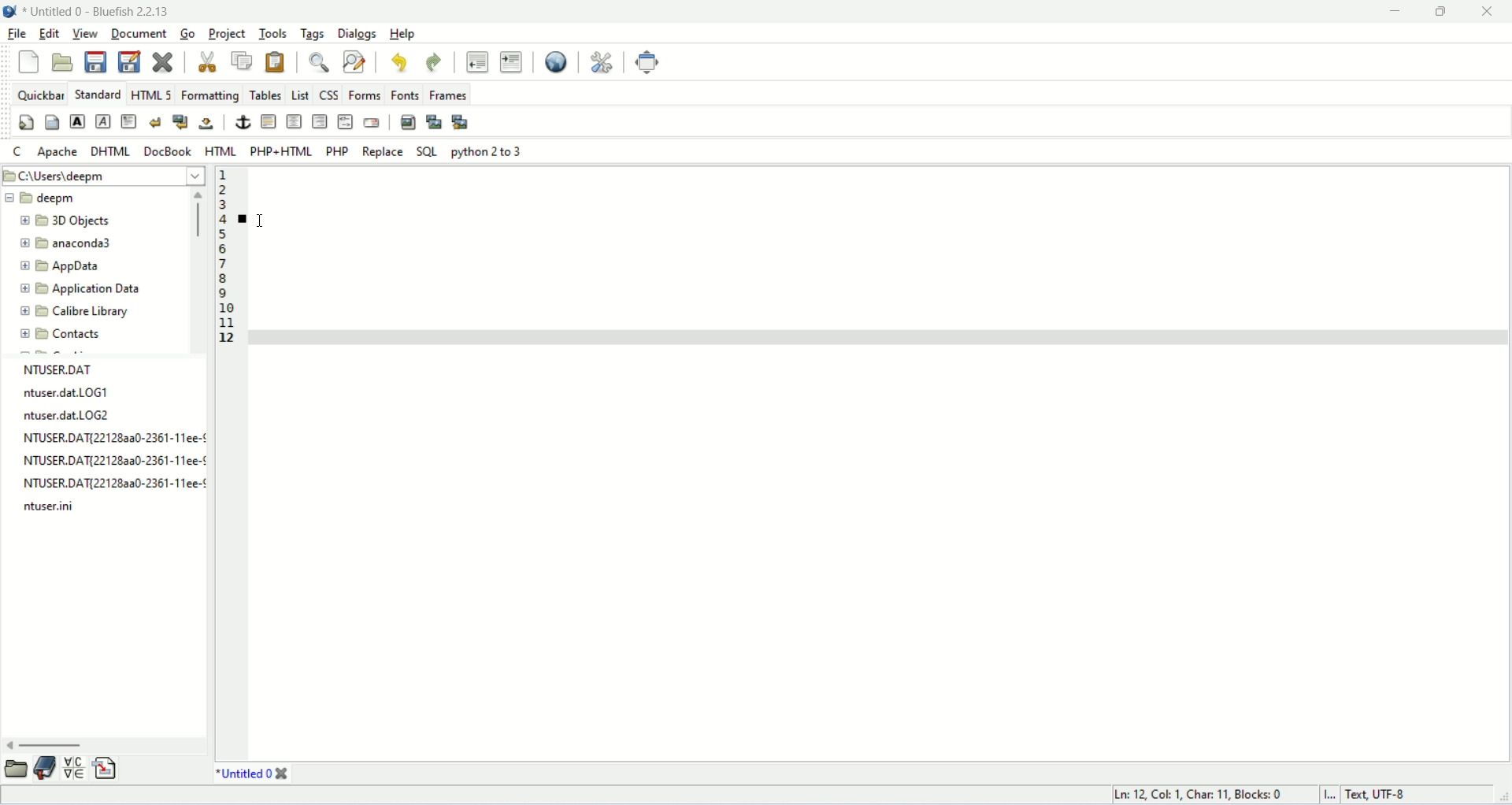 The image size is (1512, 805). What do you see at coordinates (69, 415) in the screenshot?
I see `ntuser.dat.LOG2` at bounding box center [69, 415].